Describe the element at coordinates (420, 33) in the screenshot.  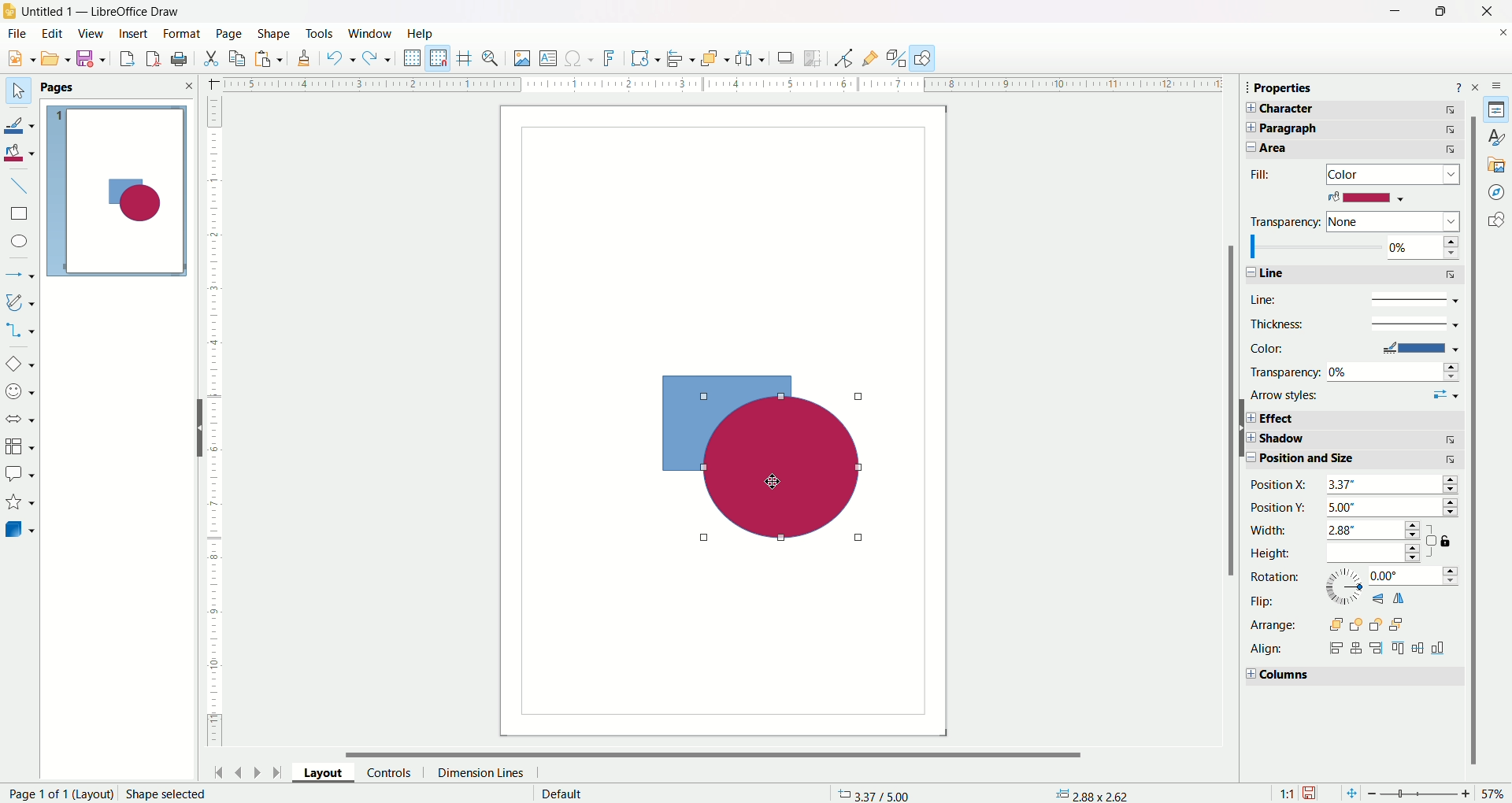
I see `help` at that location.